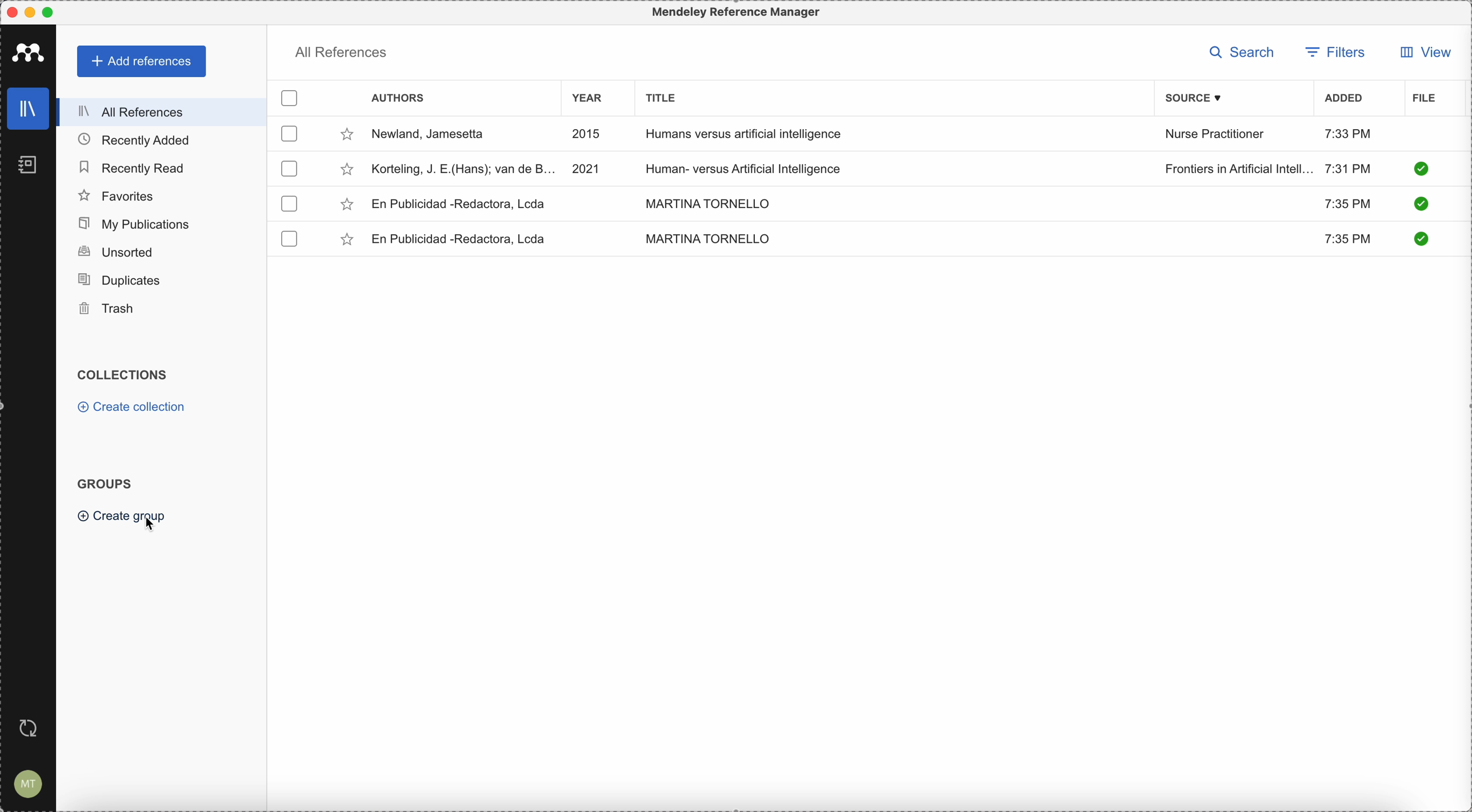 The height and width of the screenshot is (812, 1472). Describe the element at coordinates (287, 168) in the screenshot. I see `checkbox` at that location.